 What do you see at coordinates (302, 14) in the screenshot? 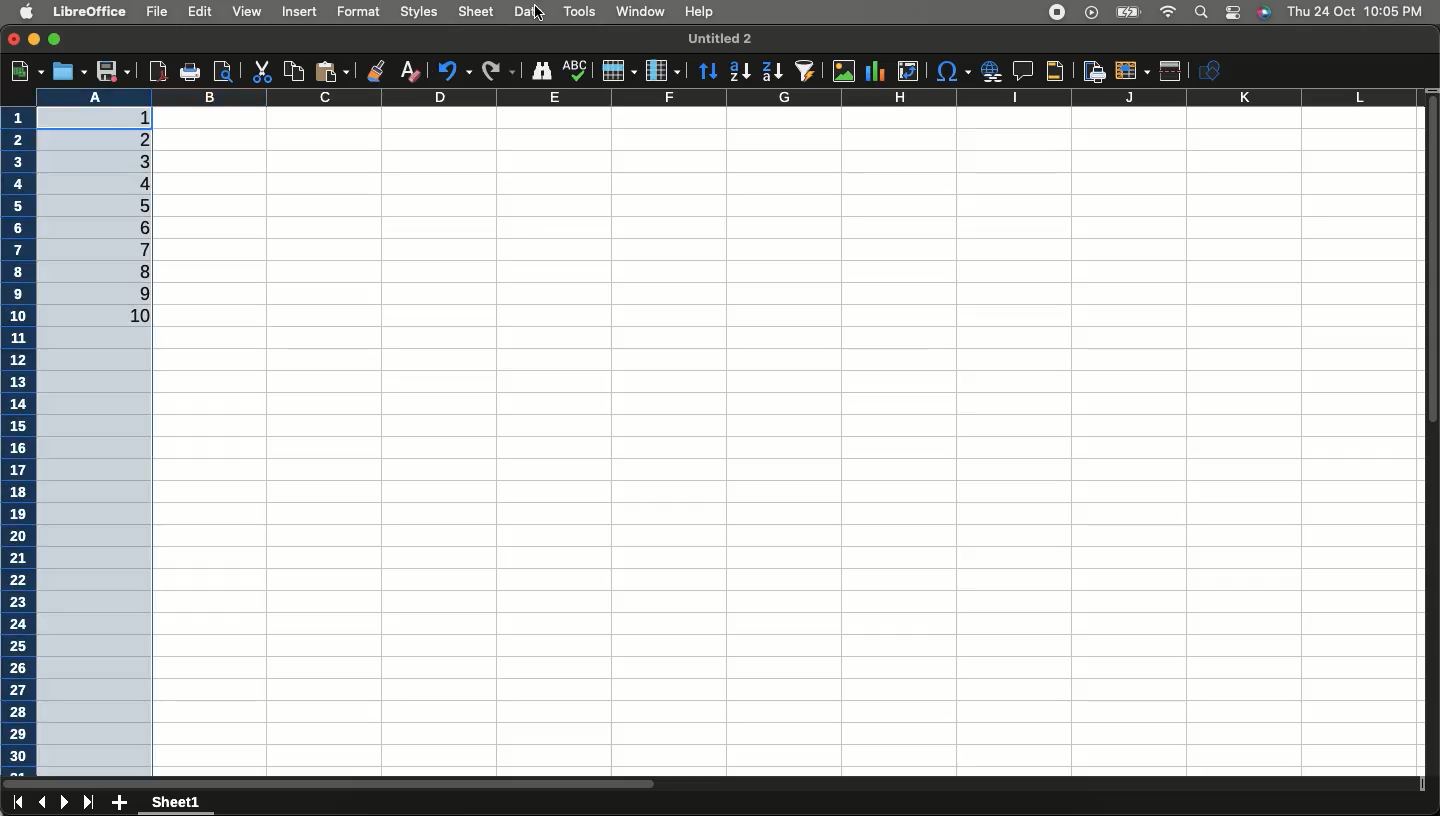
I see `Insert` at bounding box center [302, 14].